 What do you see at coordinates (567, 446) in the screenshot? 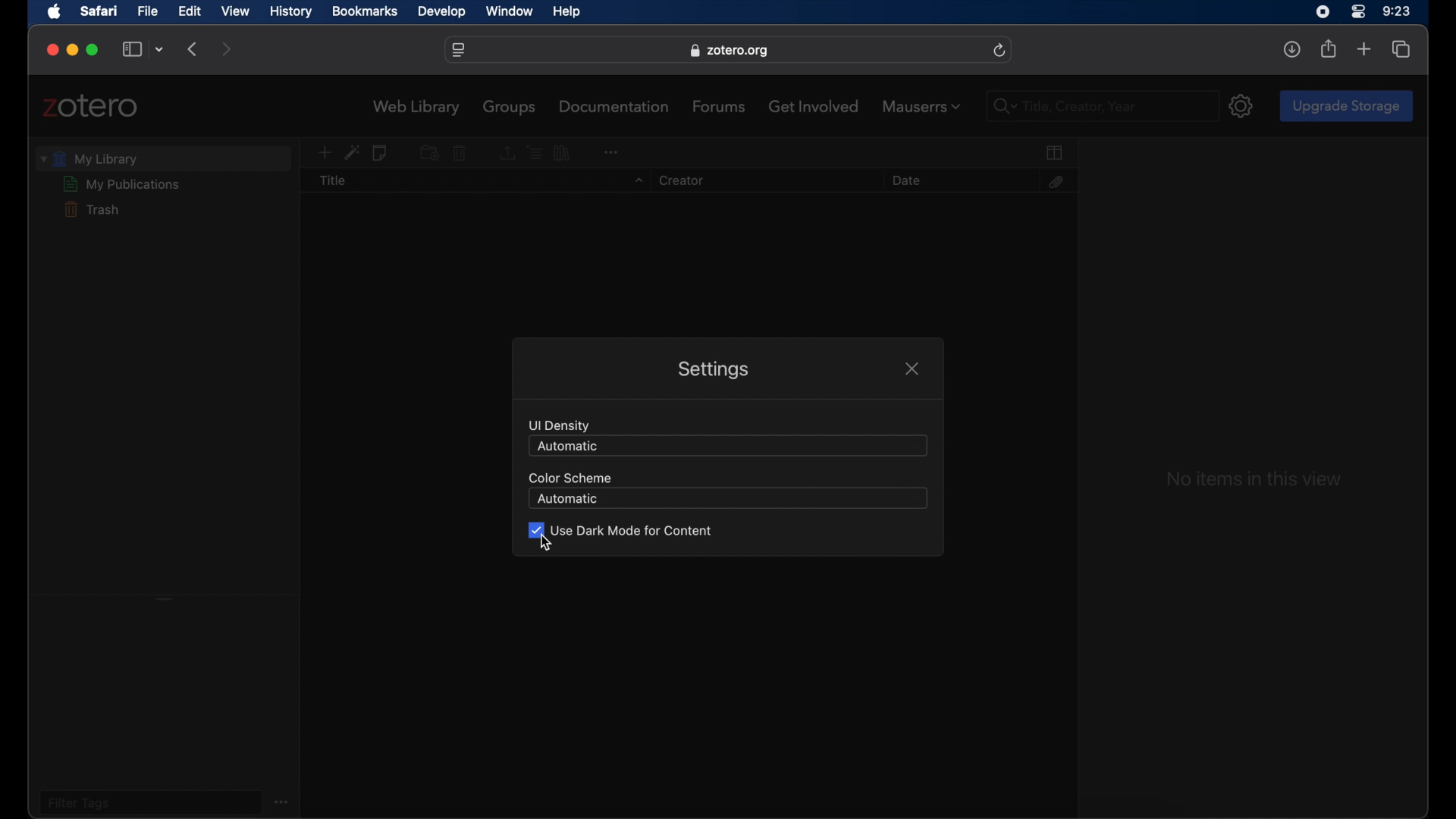
I see `automatic` at bounding box center [567, 446].